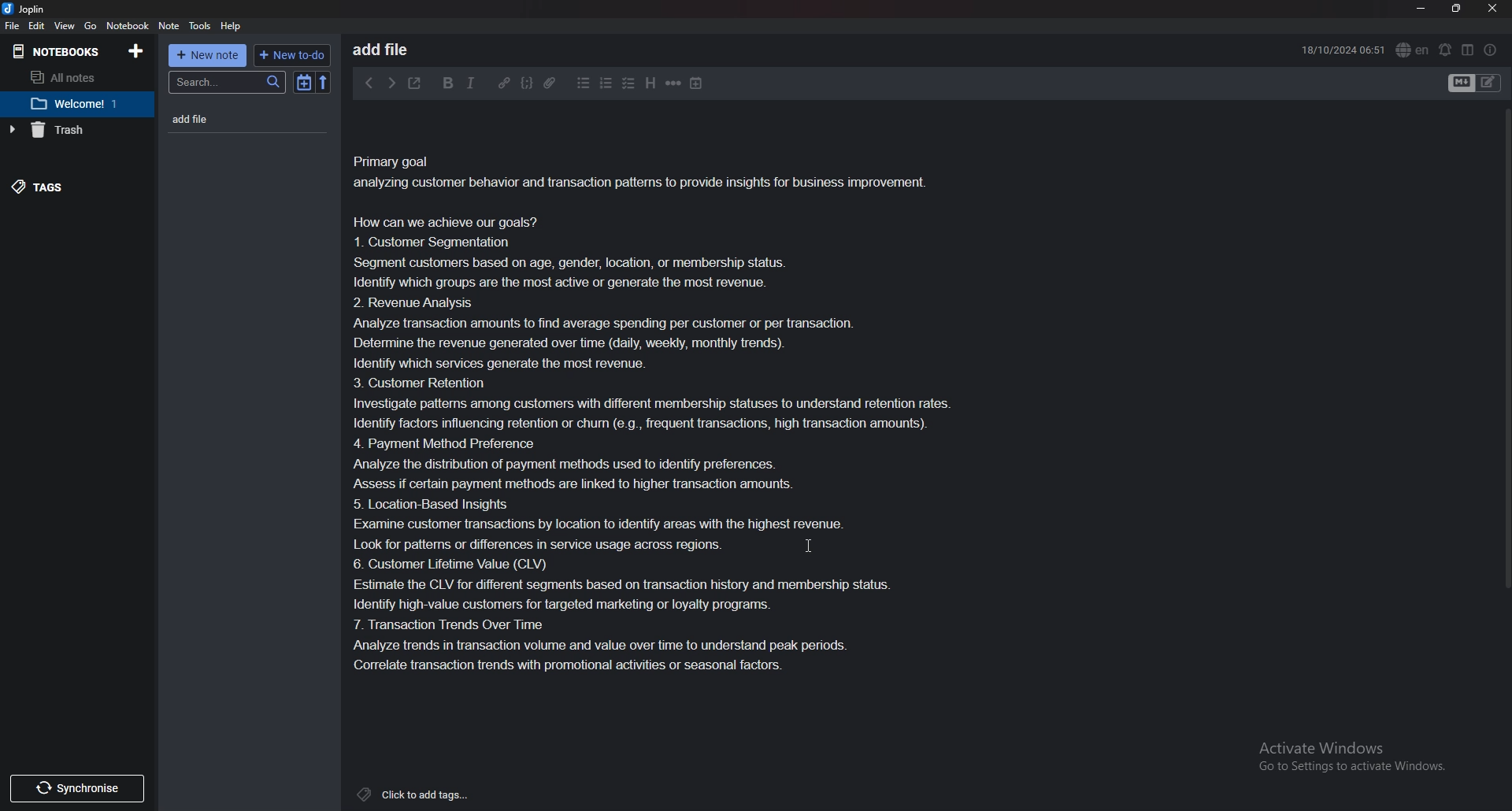 This screenshot has width=1512, height=811. Describe the element at coordinates (1467, 50) in the screenshot. I see `Toggle editor layout` at that location.